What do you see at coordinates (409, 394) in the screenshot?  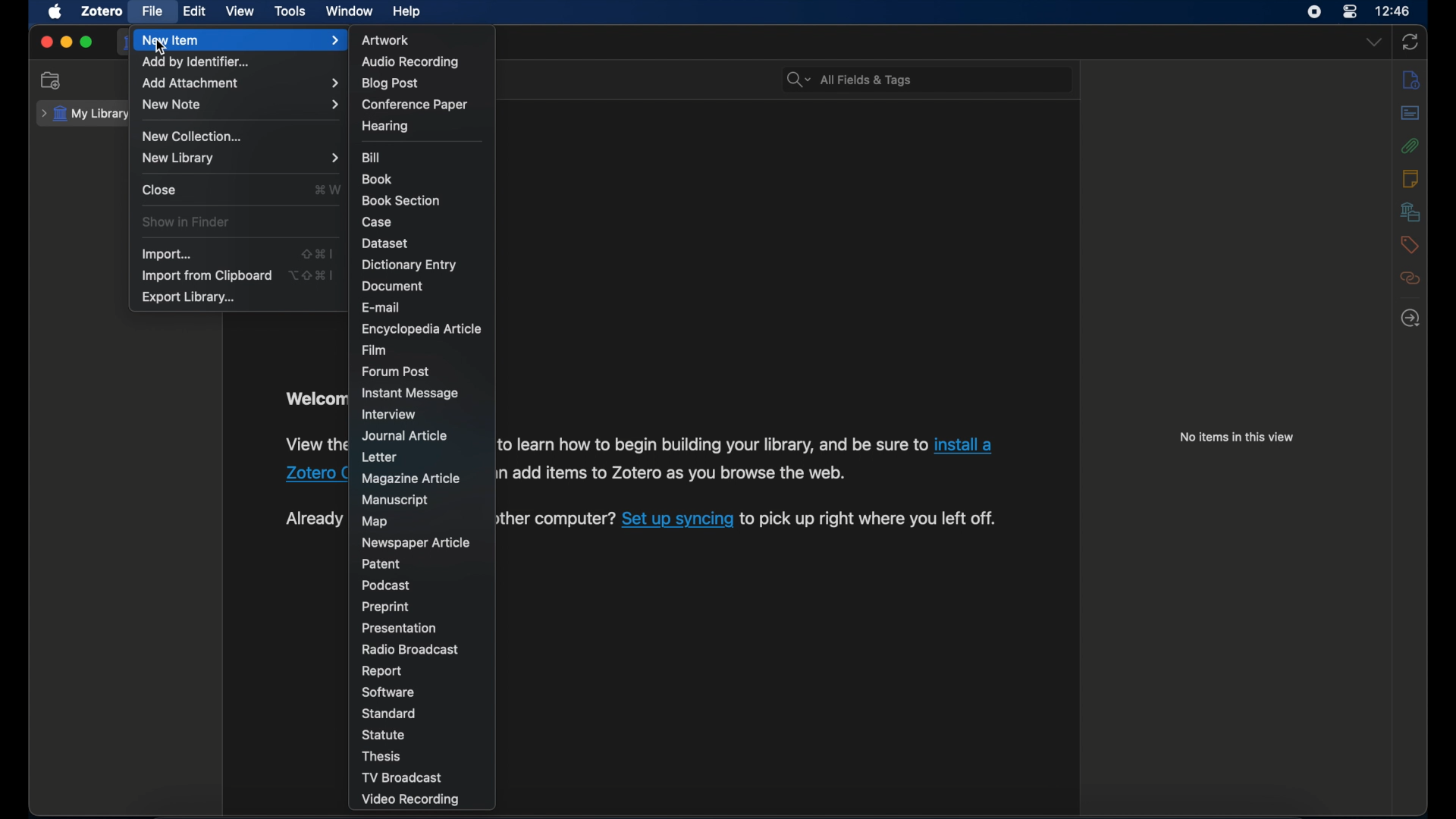 I see `instant message` at bounding box center [409, 394].